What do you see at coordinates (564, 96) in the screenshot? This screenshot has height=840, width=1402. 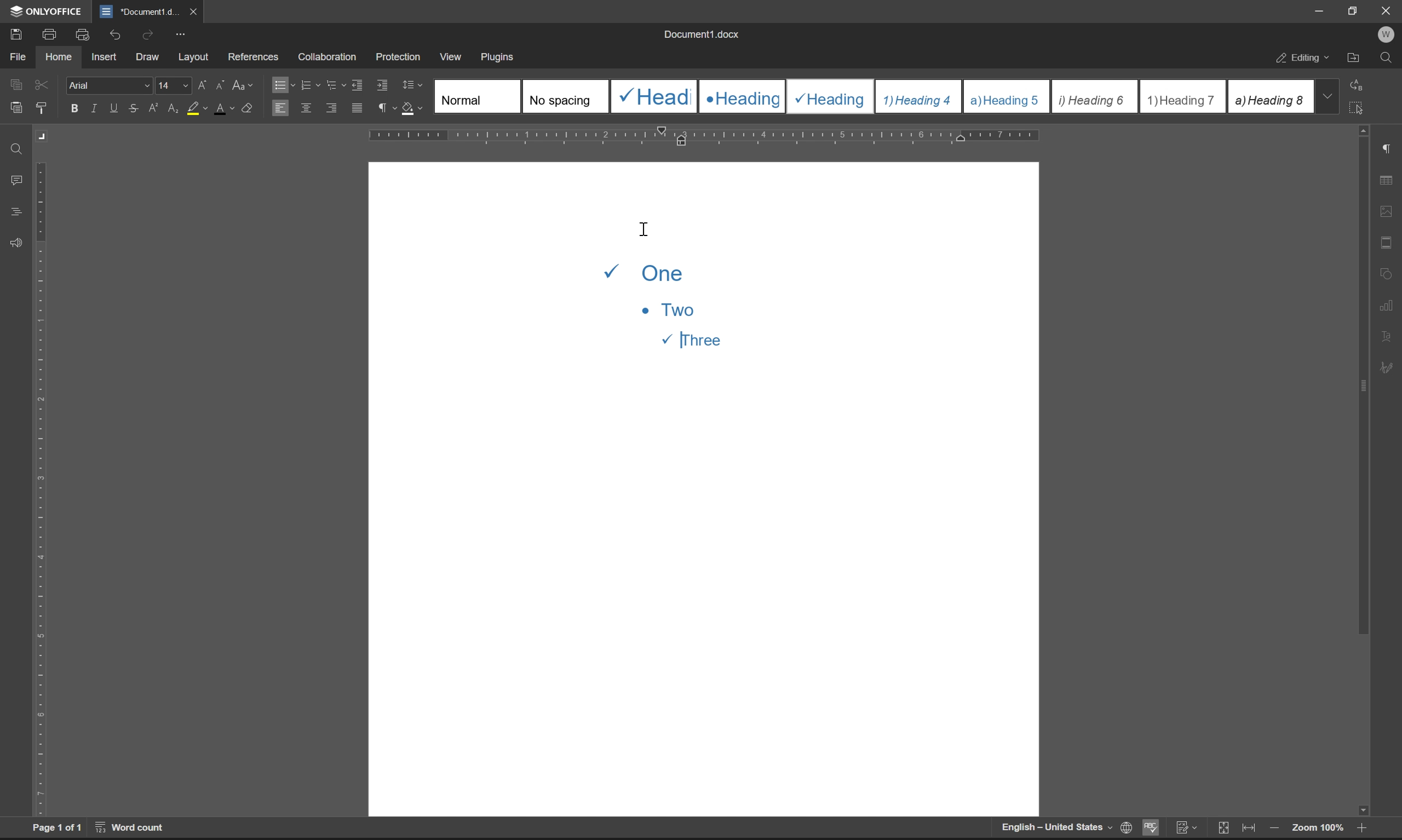 I see `No spacing` at bounding box center [564, 96].